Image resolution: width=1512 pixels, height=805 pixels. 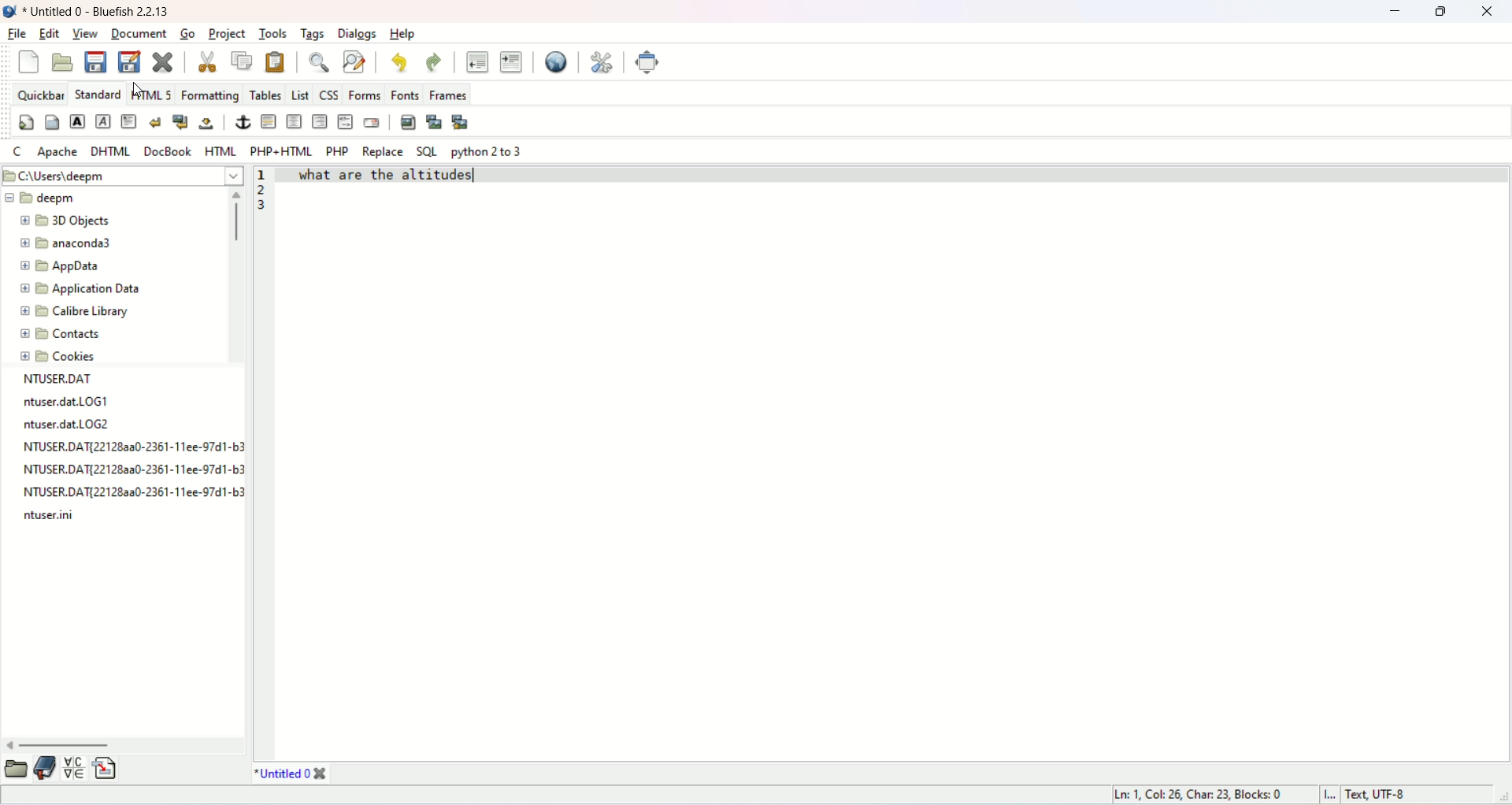 What do you see at coordinates (321, 62) in the screenshot?
I see `show find bar` at bounding box center [321, 62].